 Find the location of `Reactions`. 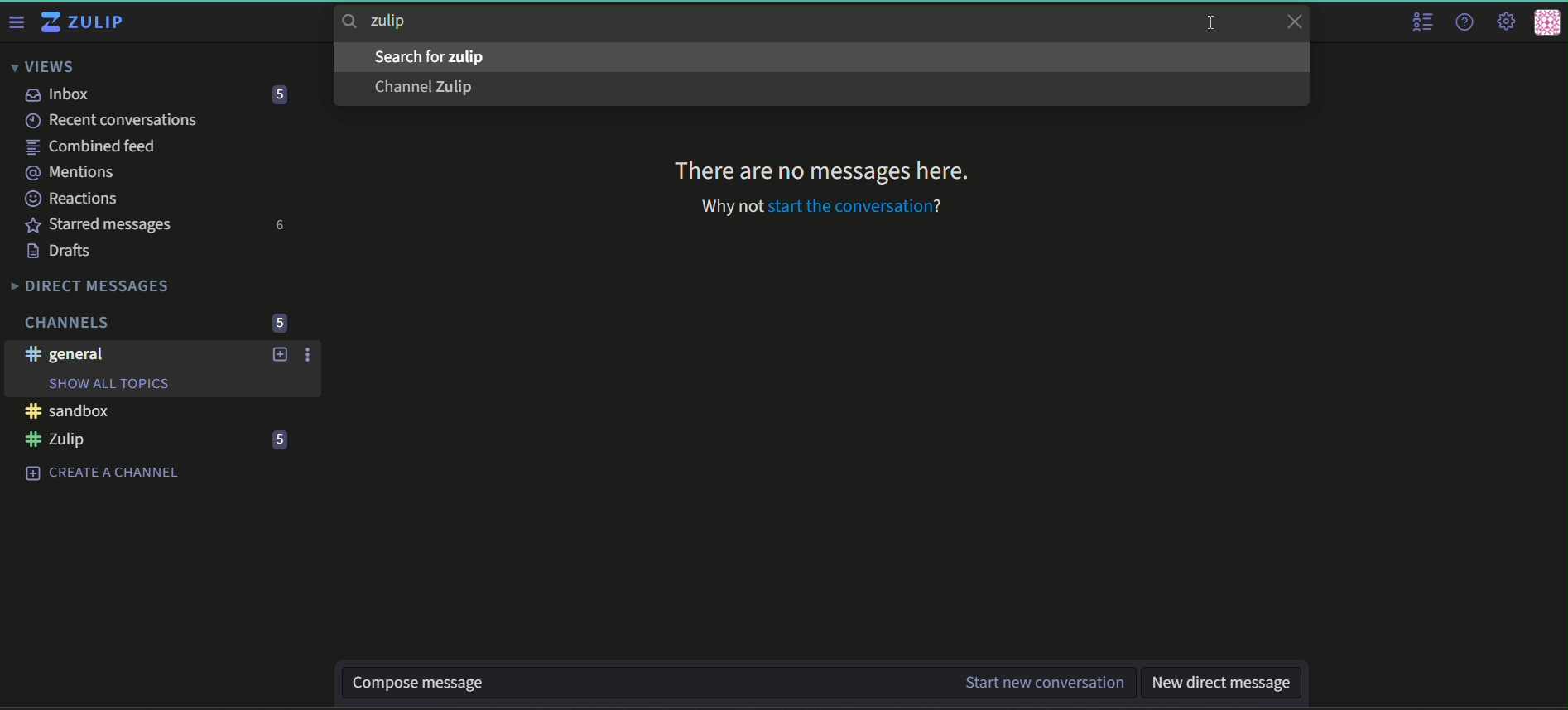

Reactions is located at coordinates (74, 199).